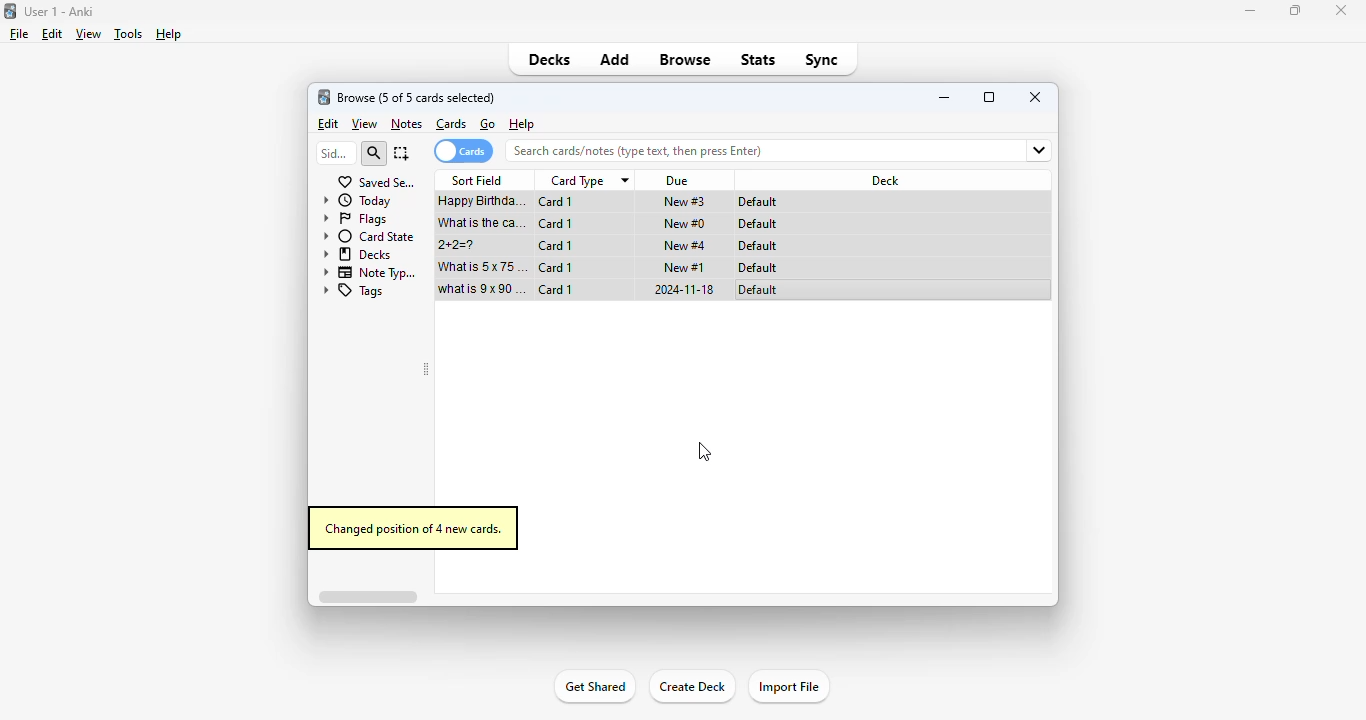 The width and height of the screenshot is (1366, 720). What do you see at coordinates (477, 180) in the screenshot?
I see `sort field` at bounding box center [477, 180].